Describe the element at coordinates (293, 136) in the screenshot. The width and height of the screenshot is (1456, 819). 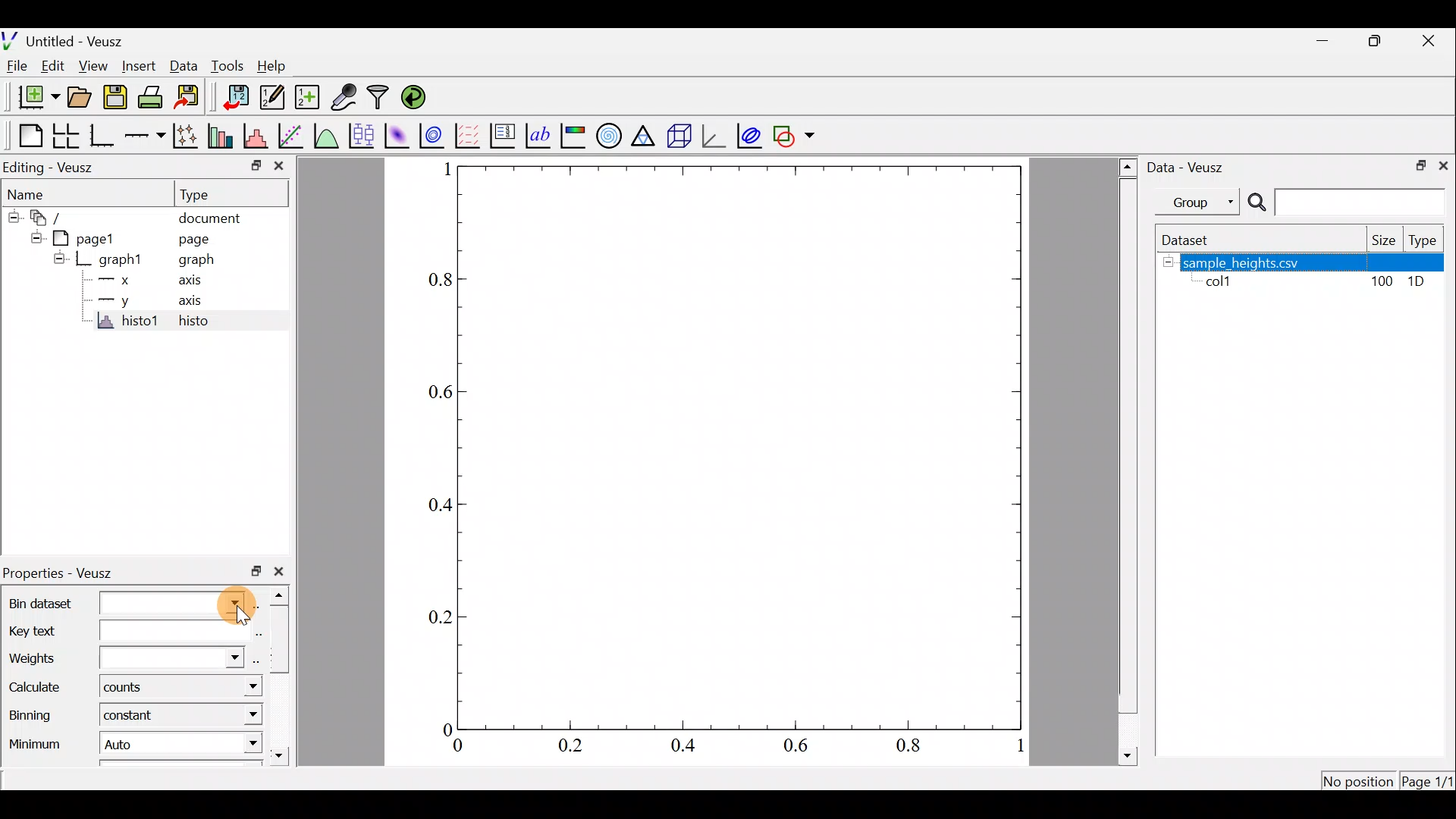
I see `fit a function to data` at that location.